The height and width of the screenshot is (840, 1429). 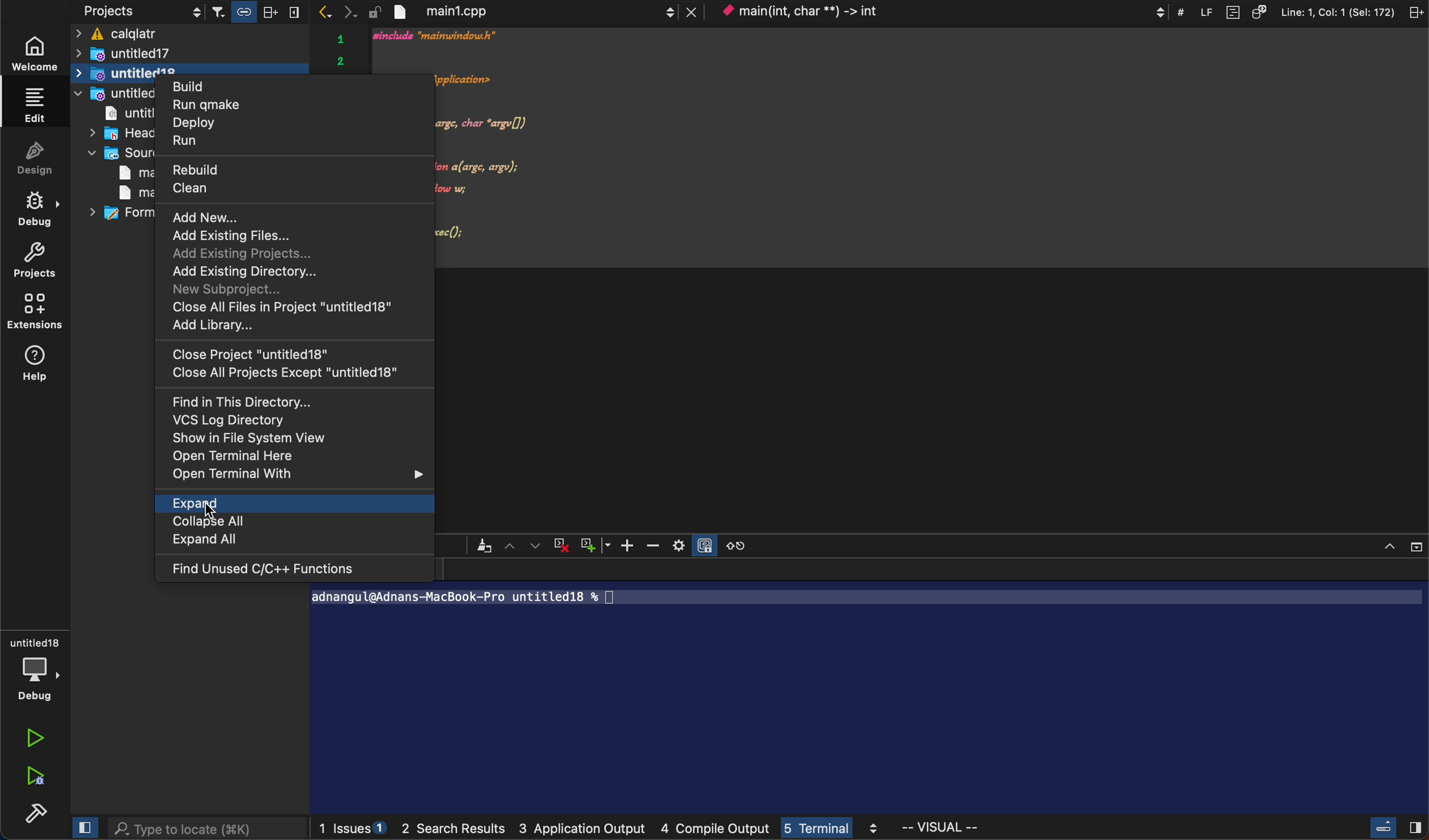 I want to click on open, so click(x=235, y=457).